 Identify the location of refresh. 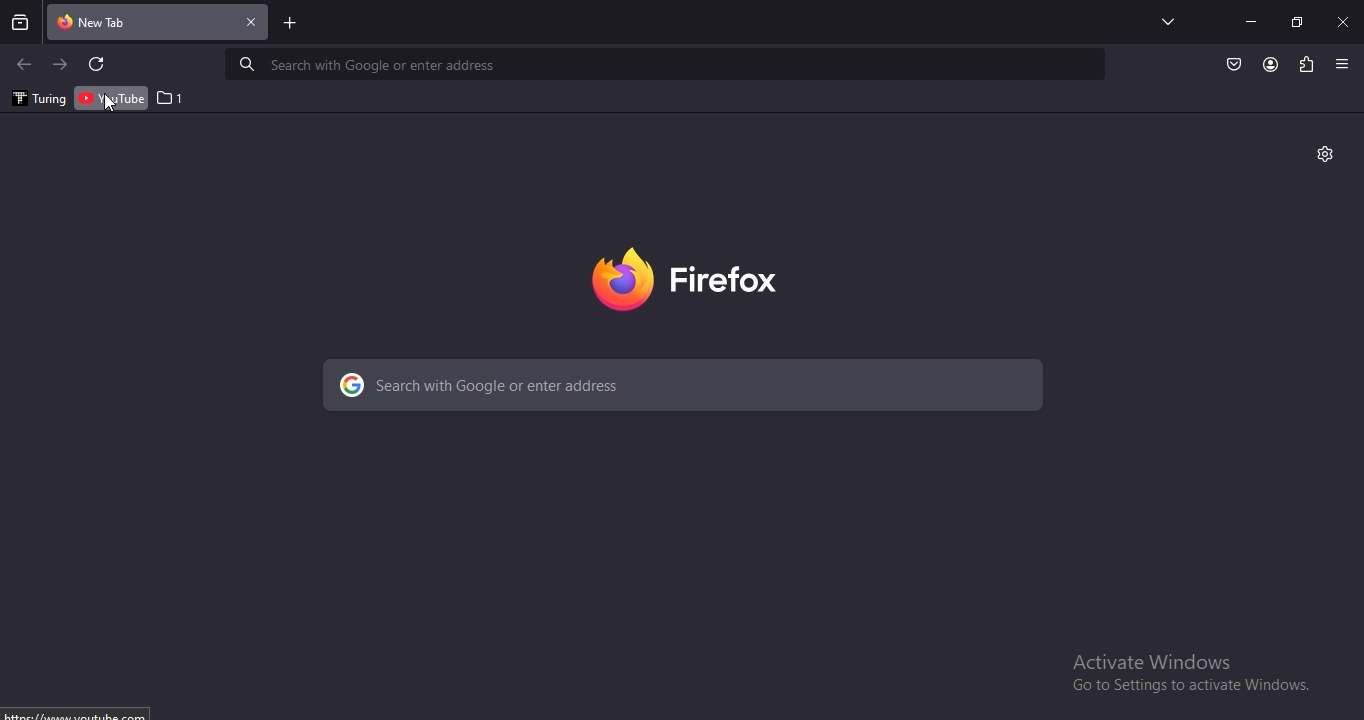
(98, 65).